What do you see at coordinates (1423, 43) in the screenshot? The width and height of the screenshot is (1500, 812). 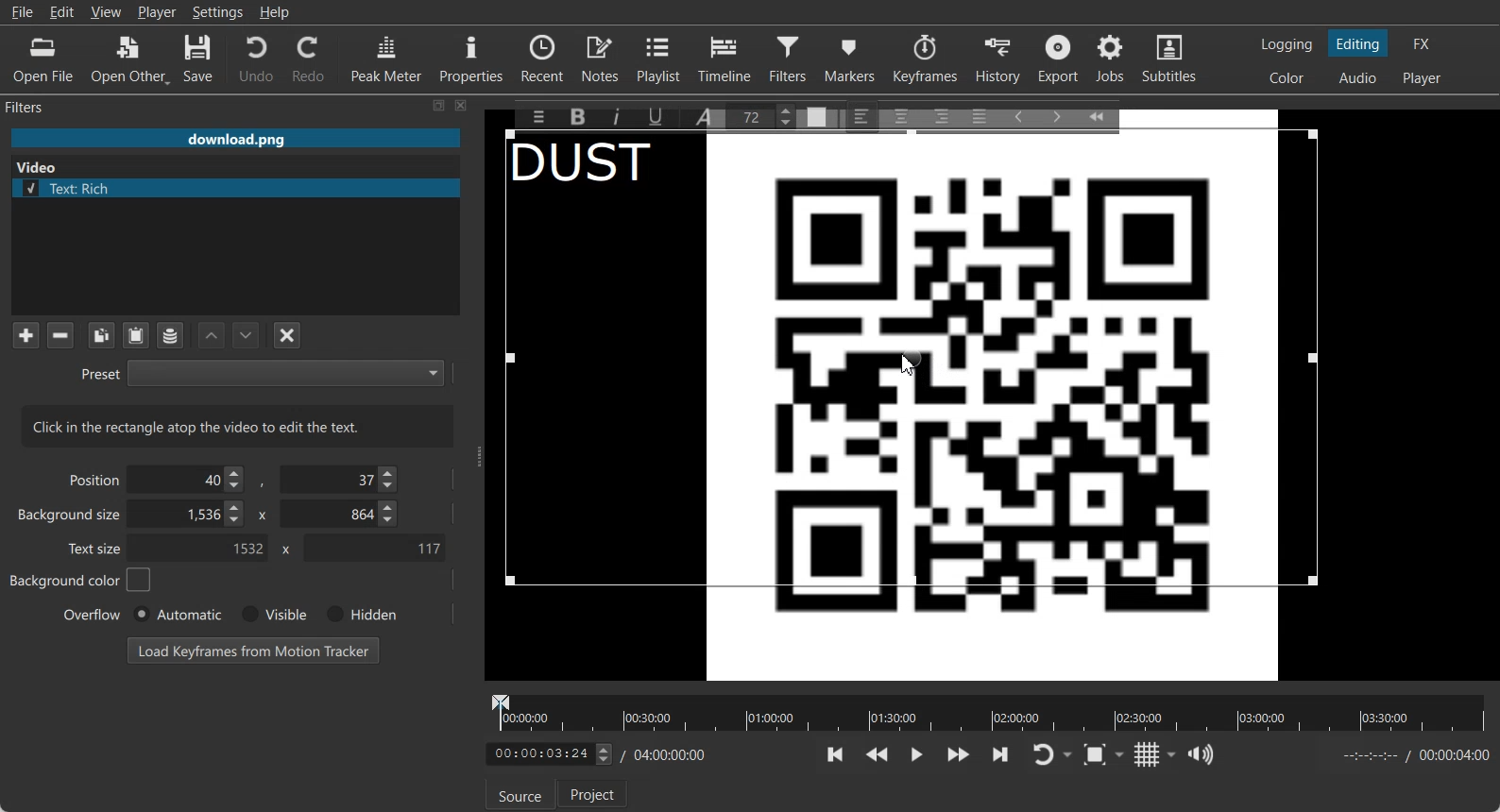 I see `Switching to the Effect layout` at bounding box center [1423, 43].